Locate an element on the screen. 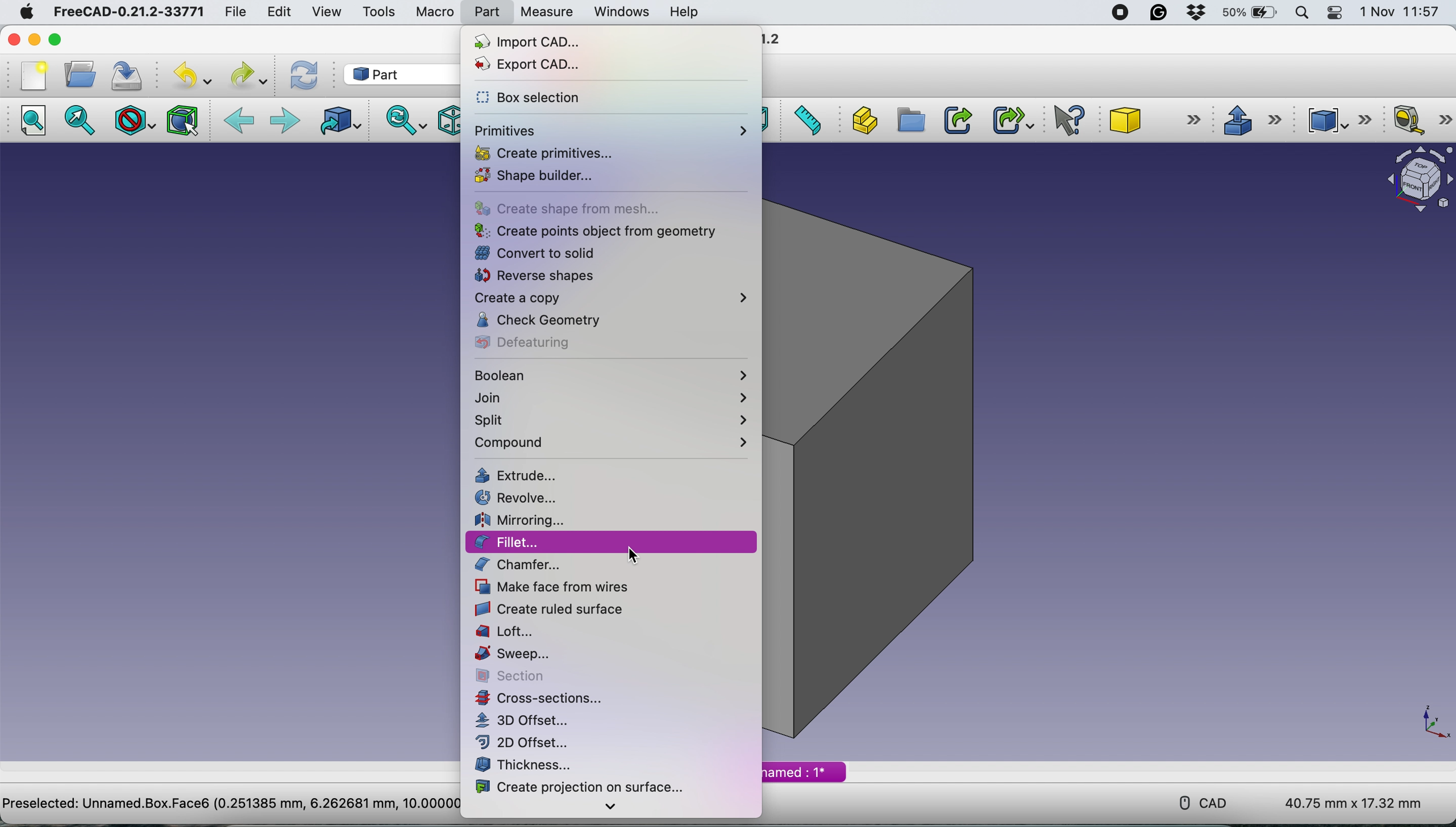 The width and height of the screenshot is (1456, 827). bounding object is located at coordinates (183, 121).